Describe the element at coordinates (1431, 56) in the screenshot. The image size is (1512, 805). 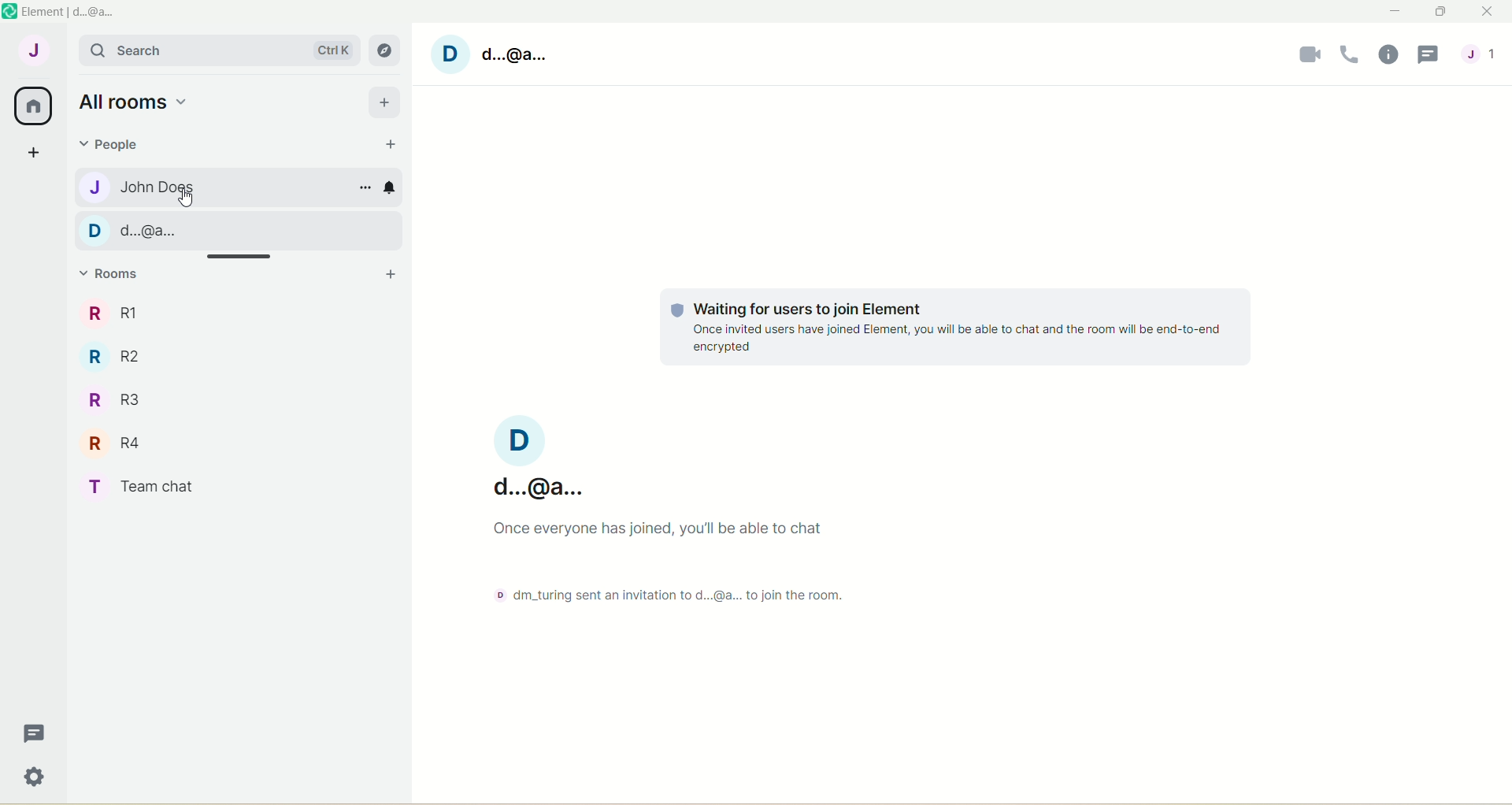
I see `threads` at that location.